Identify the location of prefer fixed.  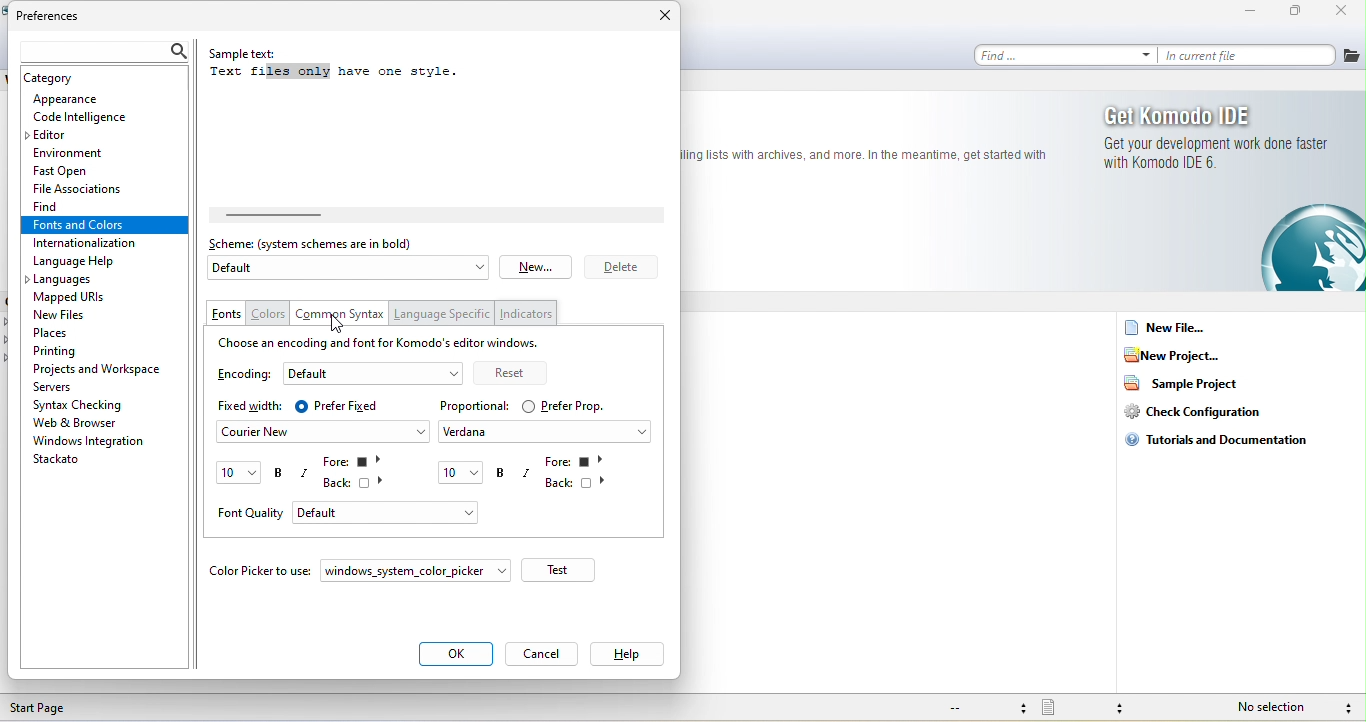
(349, 406).